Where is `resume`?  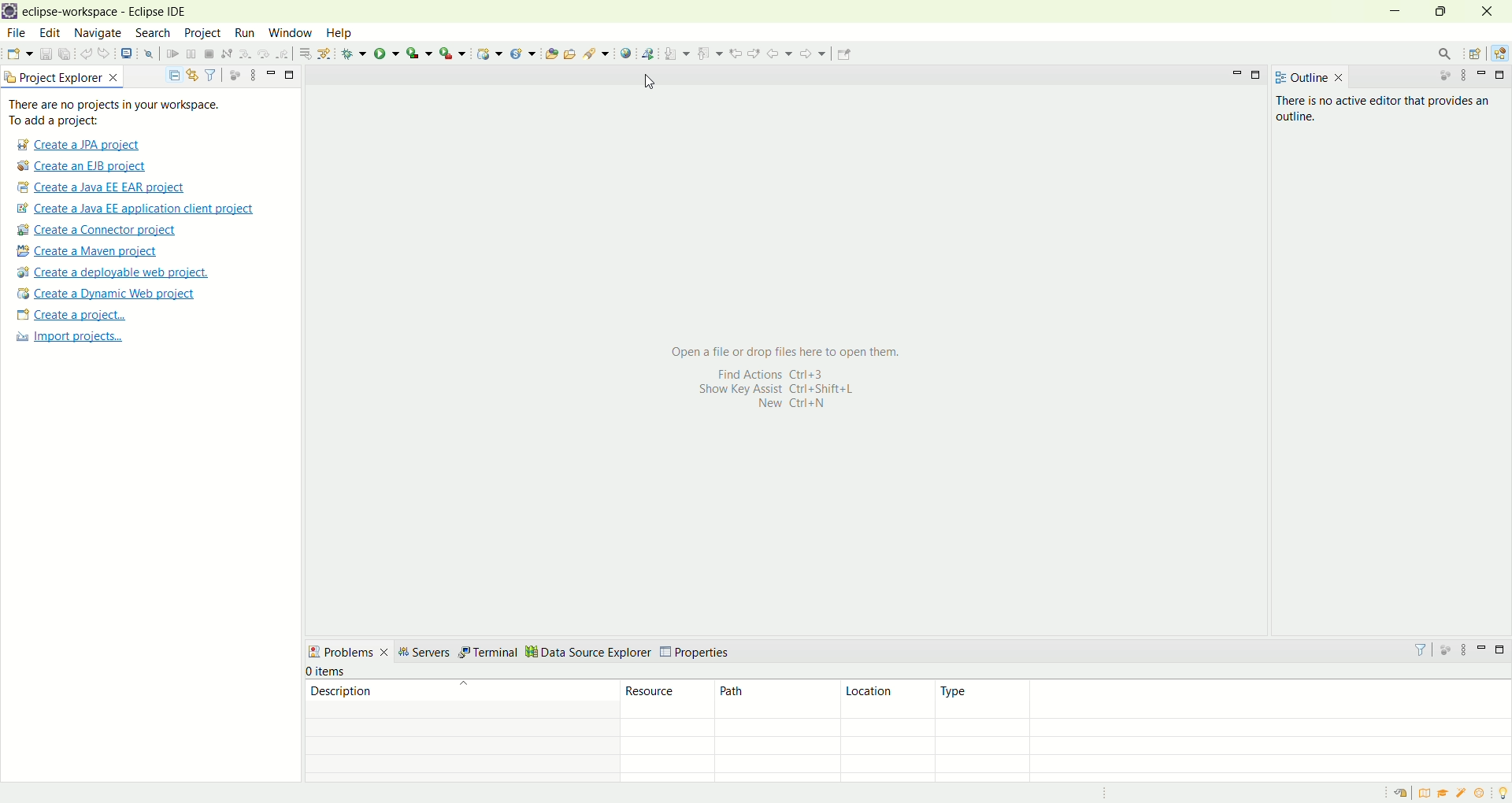 resume is located at coordinates (173, 55).